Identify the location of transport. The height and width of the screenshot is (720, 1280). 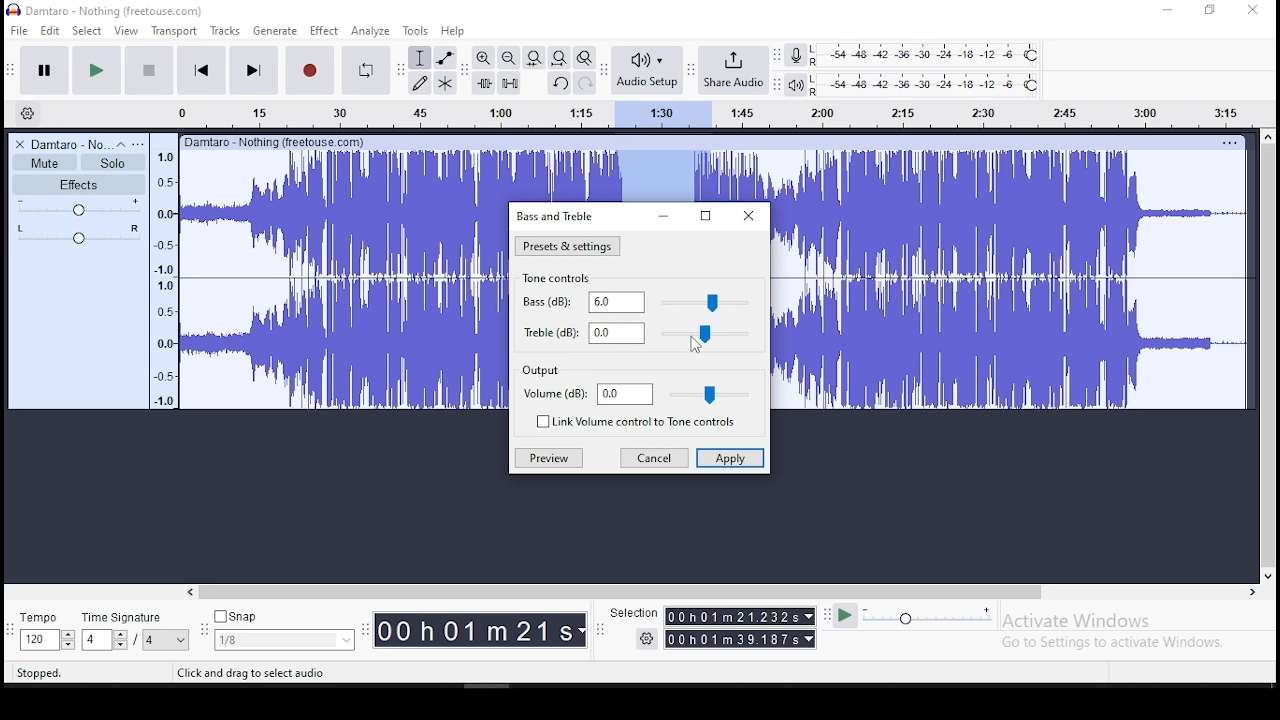
(174, 31).